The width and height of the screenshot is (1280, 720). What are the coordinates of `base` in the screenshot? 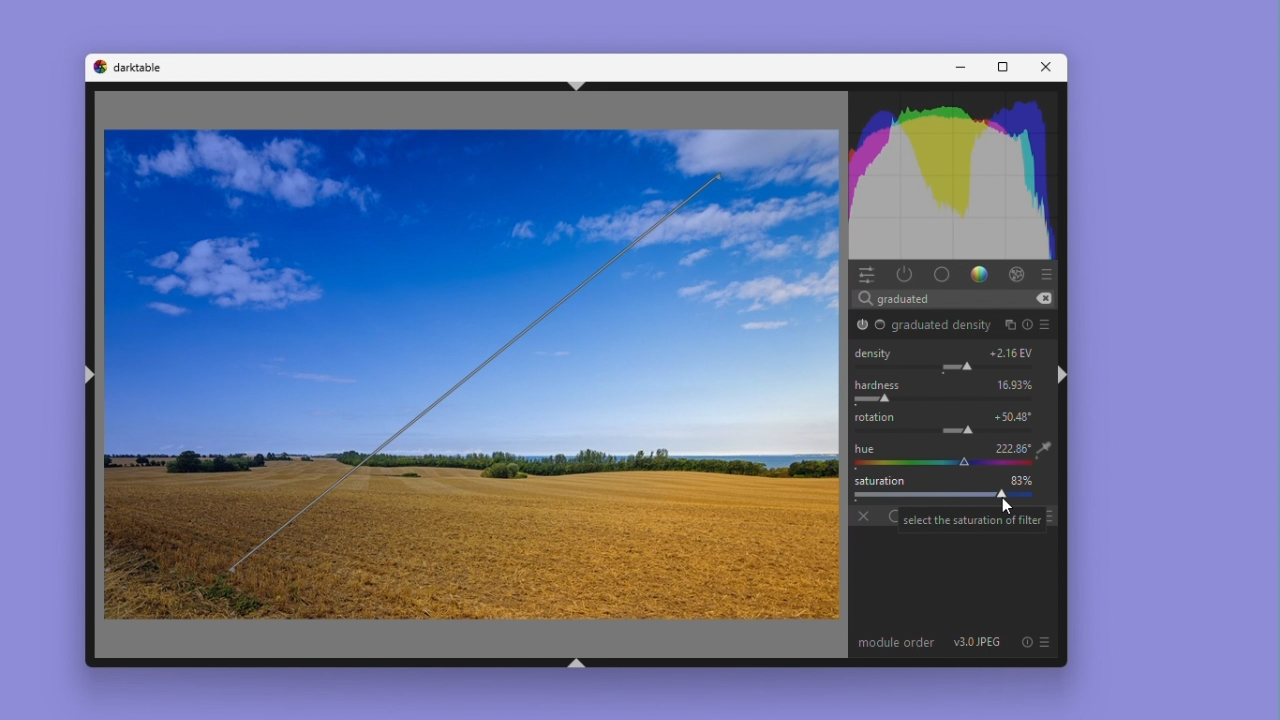 It's located at (941, 274).